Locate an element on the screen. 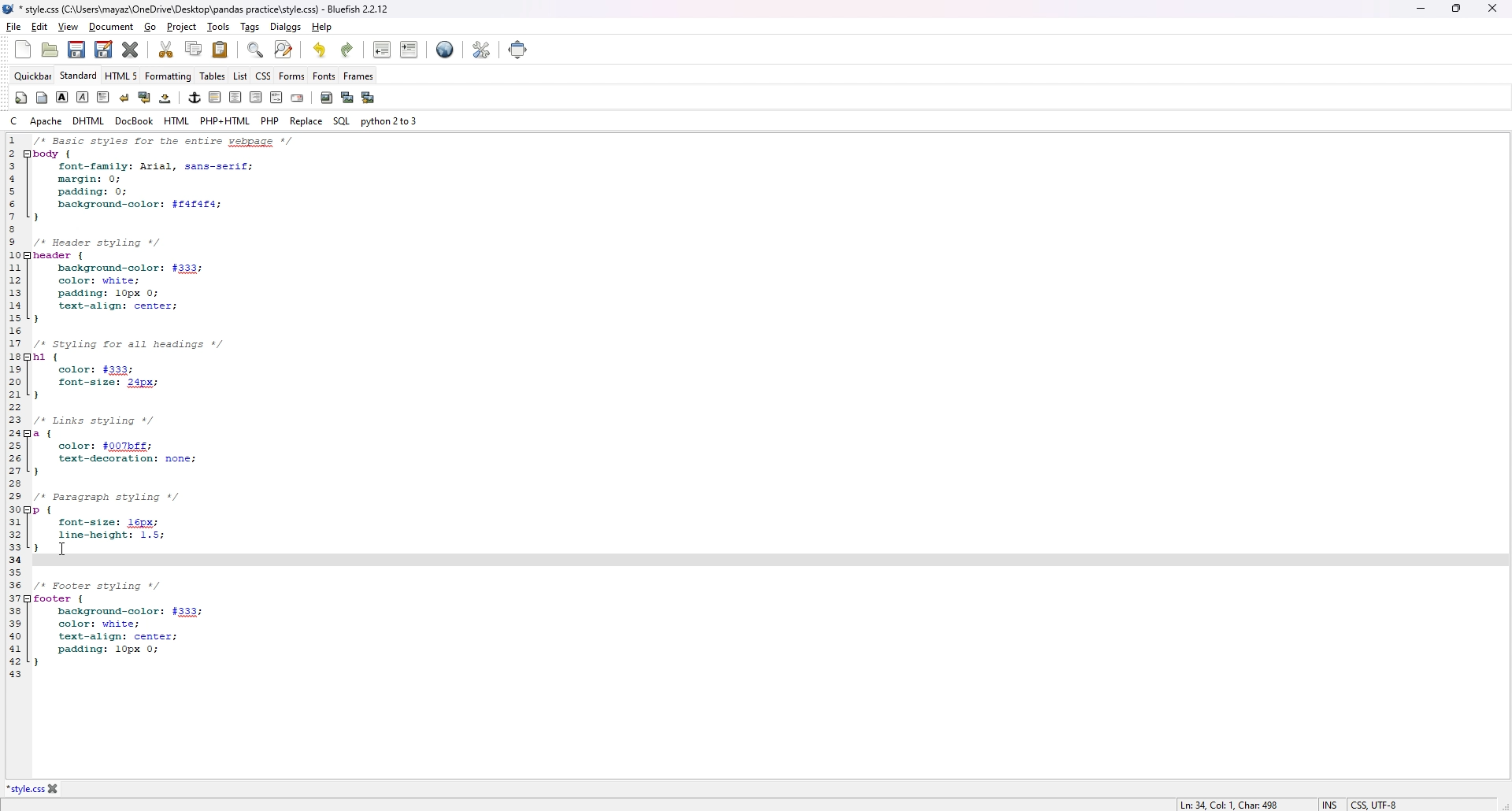 This screenshot has height=811, width=1512. *style.css (C:\Users\mayaz\OneDrive\Desktop\pandas practice\style.css) - Bluefish 2.2.12 is located at coordinates (208, 8).